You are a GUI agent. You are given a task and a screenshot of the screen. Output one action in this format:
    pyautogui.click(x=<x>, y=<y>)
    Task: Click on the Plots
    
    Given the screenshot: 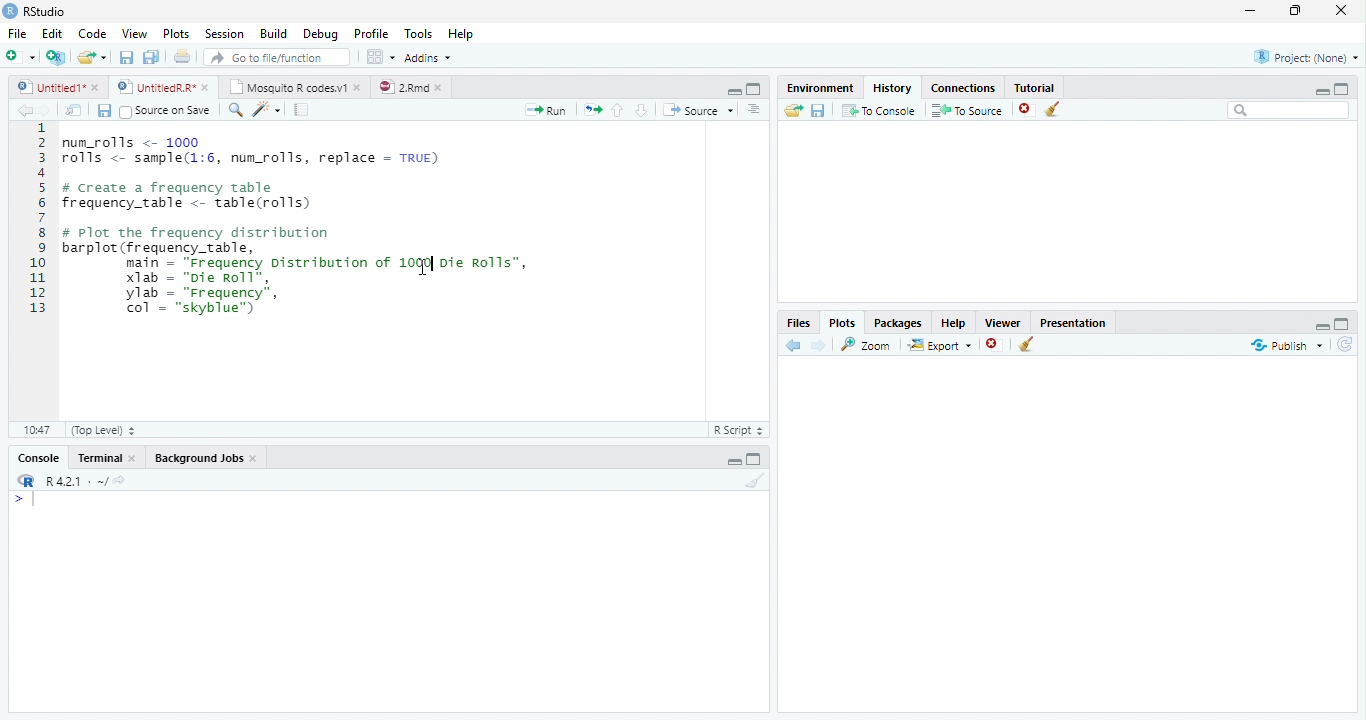 What is the action you would take?
    pyautogui.click(x=177, y=32)
    